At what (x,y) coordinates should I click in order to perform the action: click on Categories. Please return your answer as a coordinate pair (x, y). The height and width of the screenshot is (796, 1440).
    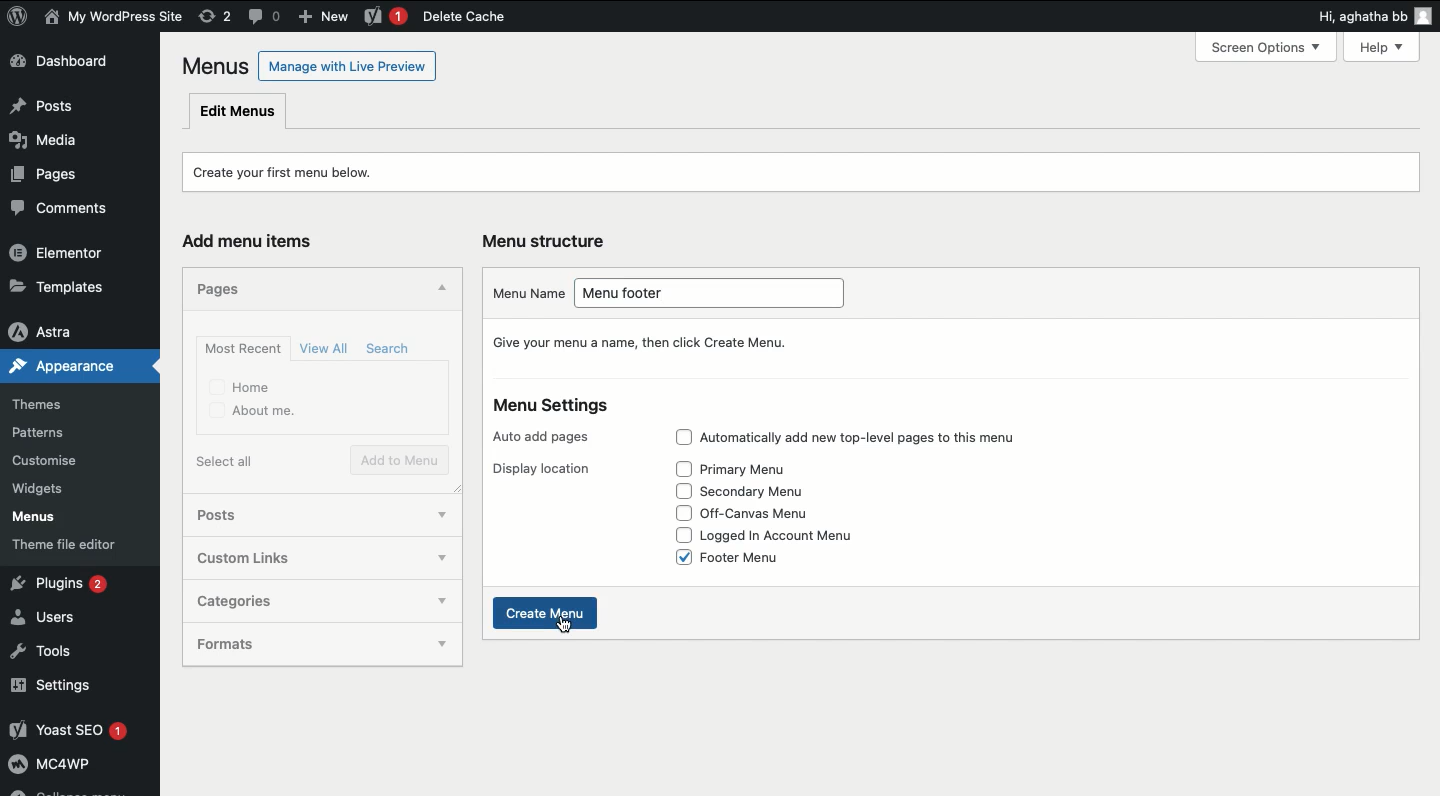
    Looking at the image, I should click on (286, 601).